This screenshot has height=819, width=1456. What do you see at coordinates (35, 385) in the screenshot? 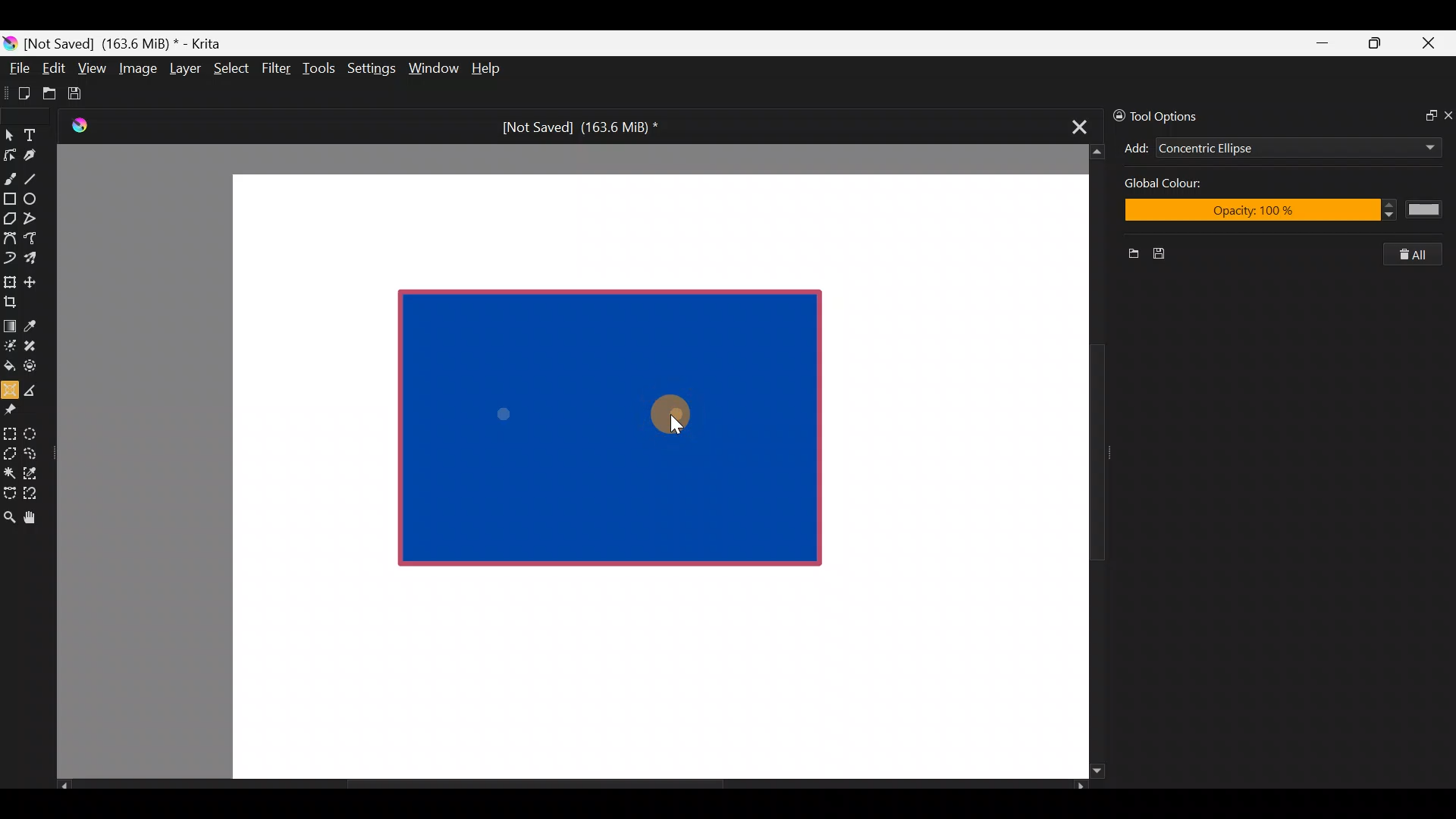
I see `Measure the distance between two points` at bounding box center [35, 385].